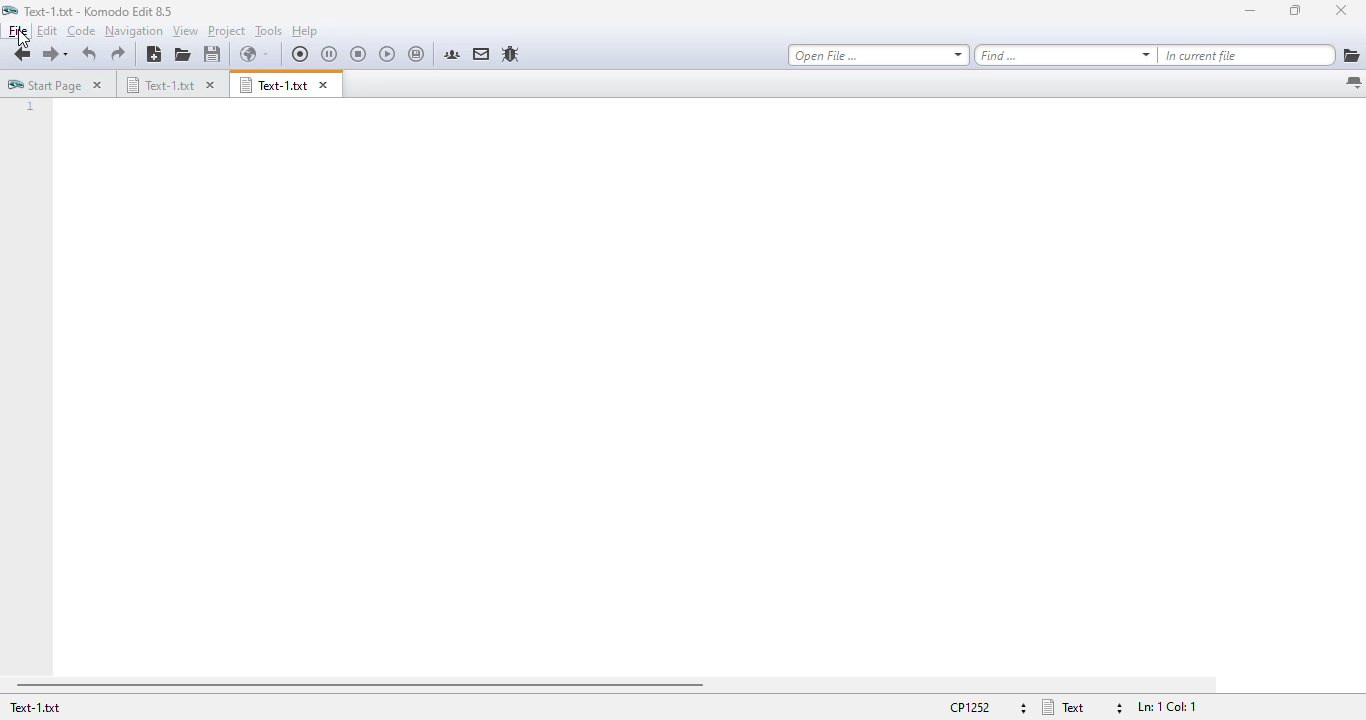  What do you see at coordinates (99, 11) in the screenshot?
I see `text-1` at bounding box center [99, 11].